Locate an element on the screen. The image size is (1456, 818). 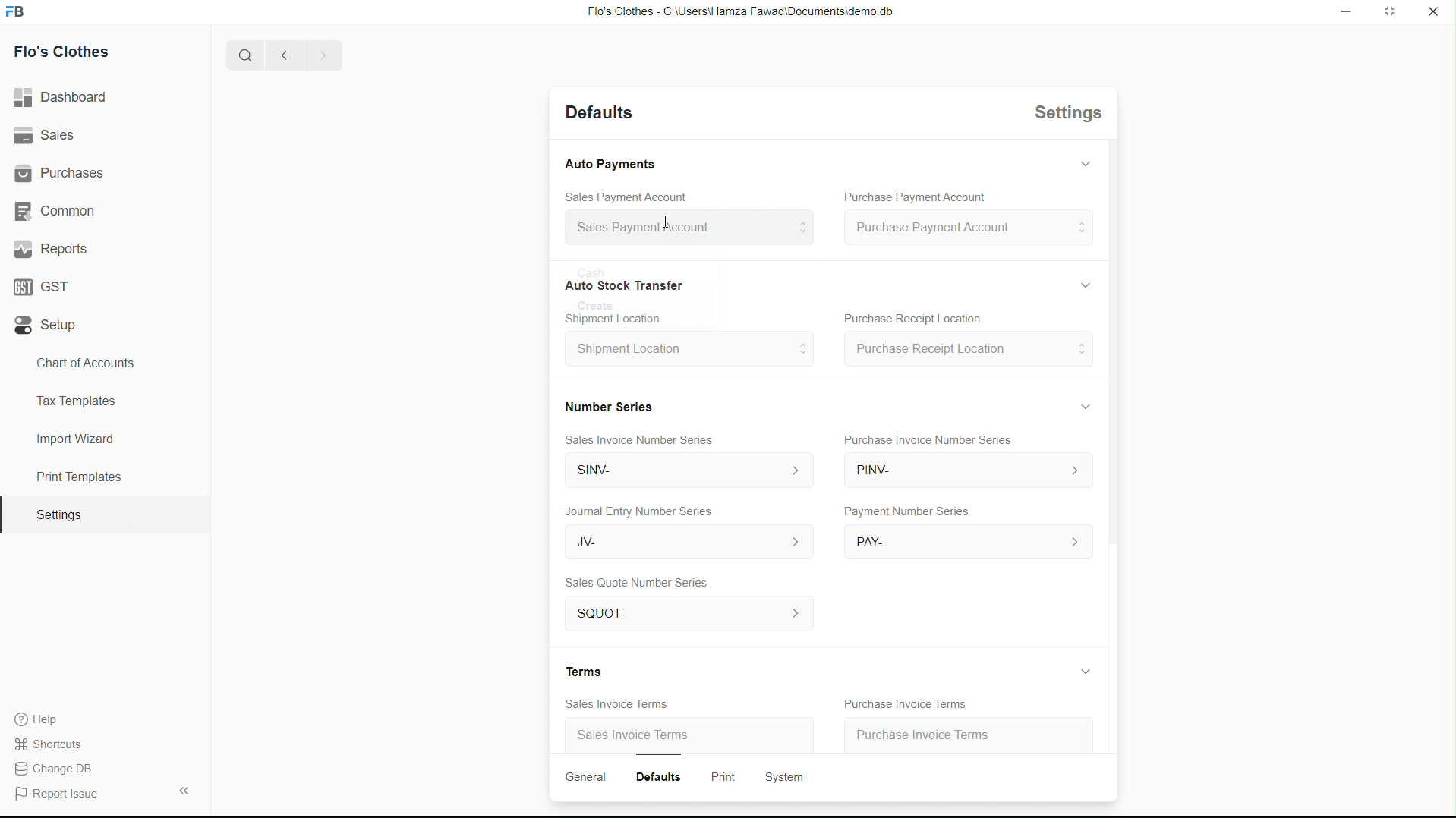
Change DB is located at coordinates (58, 769).